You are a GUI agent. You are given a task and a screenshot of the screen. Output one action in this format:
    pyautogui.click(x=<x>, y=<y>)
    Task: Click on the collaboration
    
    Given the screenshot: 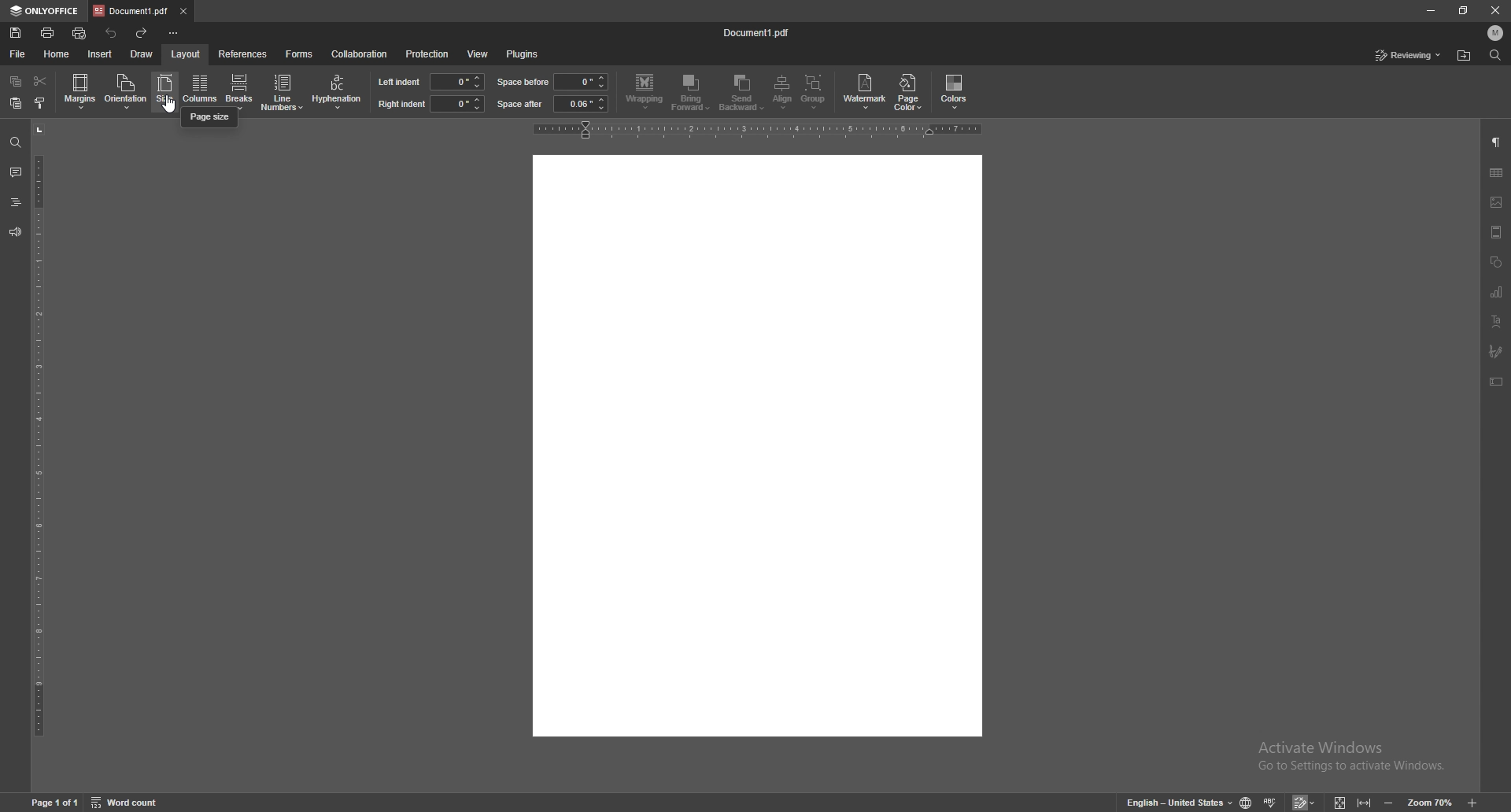 What is the action you would take?
    pyautogui.click(x=359, y=54)
    